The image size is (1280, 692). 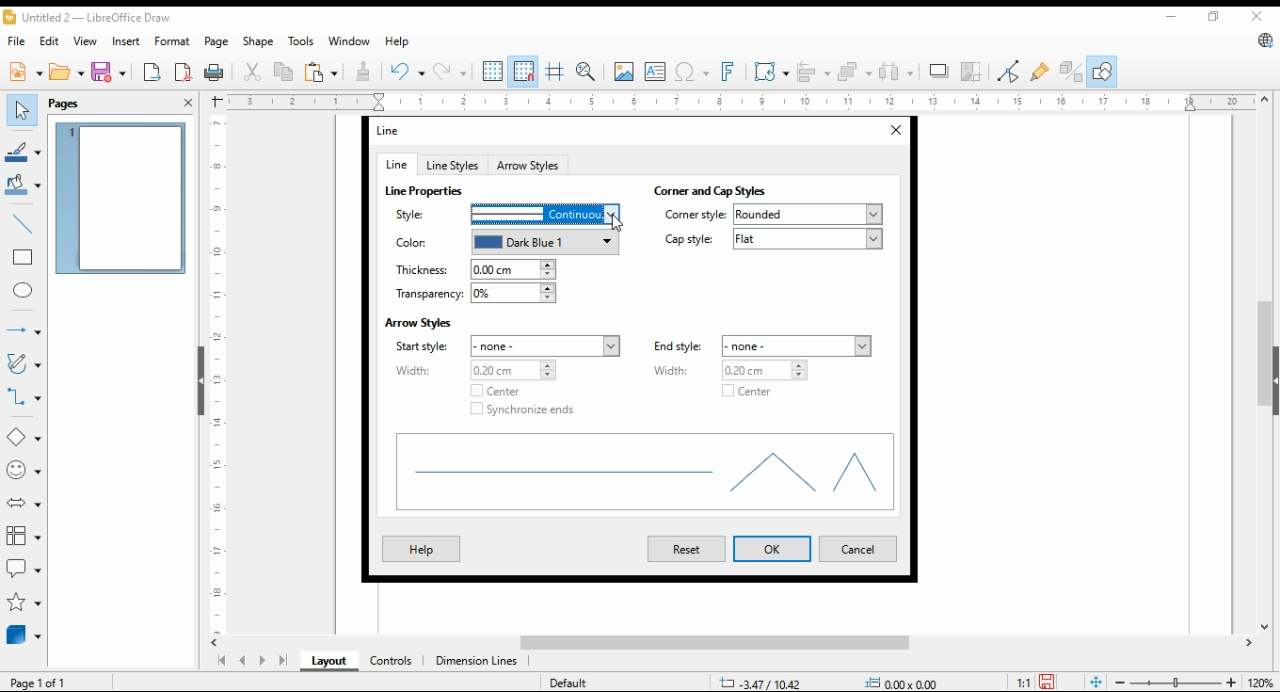 I want to click on new, so click(x=25, y=70).